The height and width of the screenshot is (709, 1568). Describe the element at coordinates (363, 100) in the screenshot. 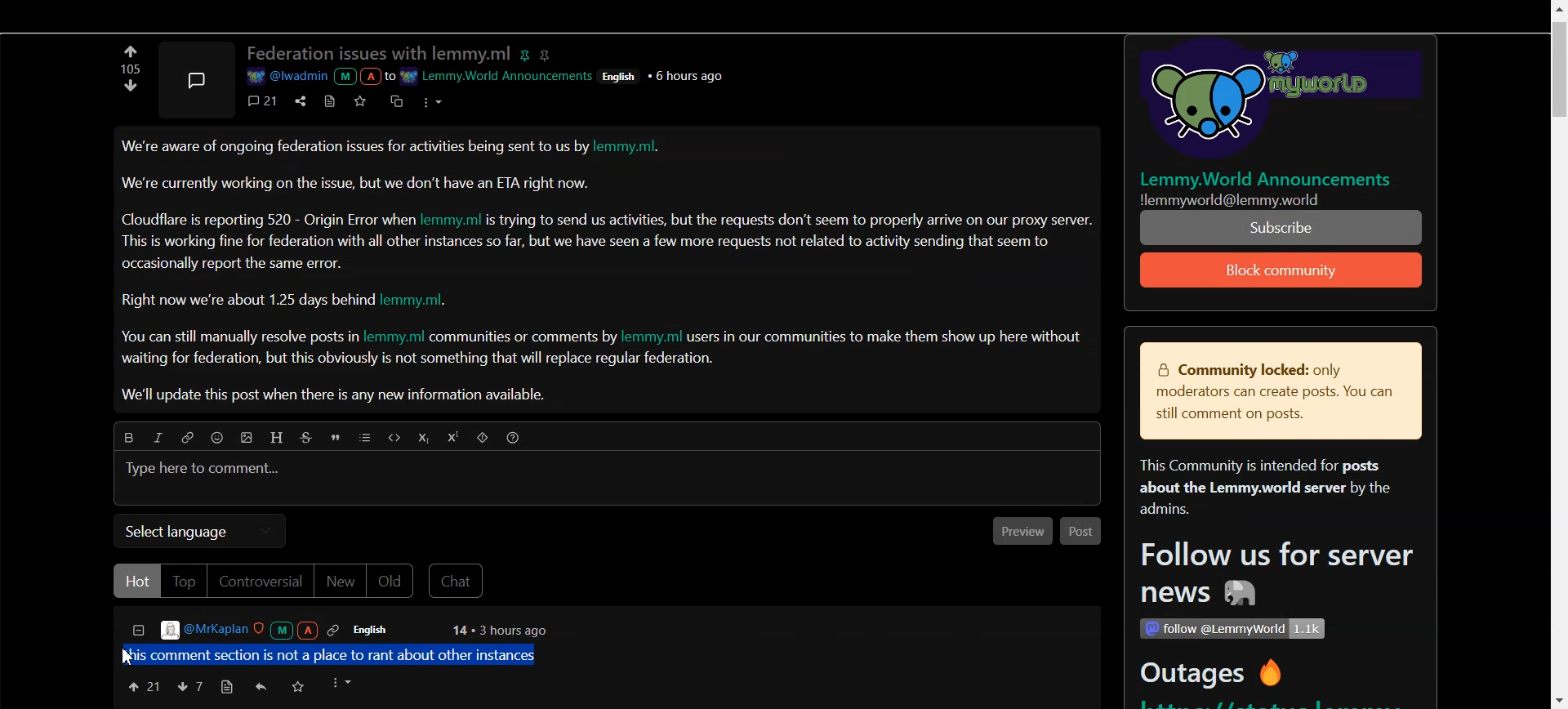

I see `save` at that location.